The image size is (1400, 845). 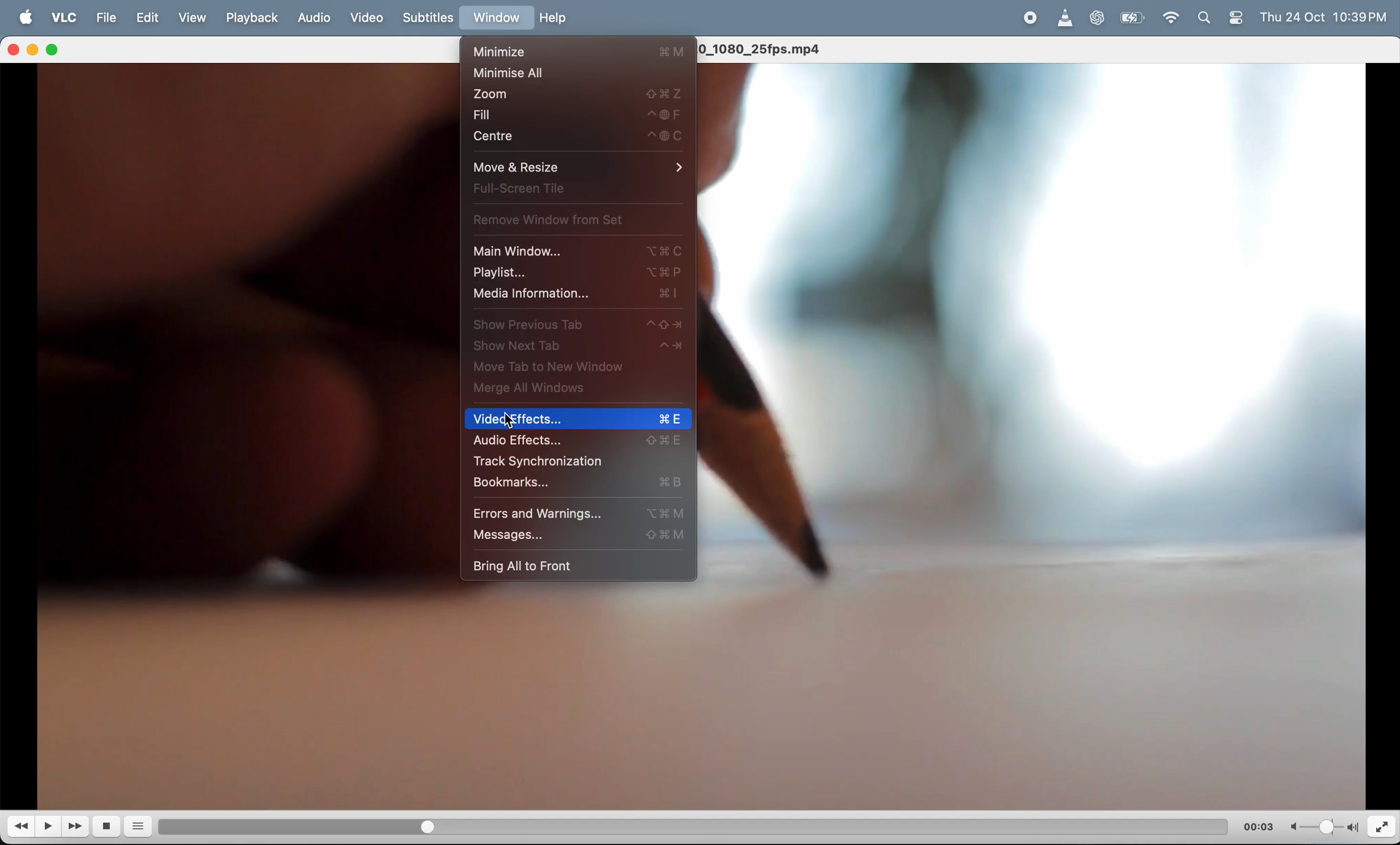 What do you see at coordinates (568, 191) in the screenshot?
I see `full screen` at bounding box center [568, 191].